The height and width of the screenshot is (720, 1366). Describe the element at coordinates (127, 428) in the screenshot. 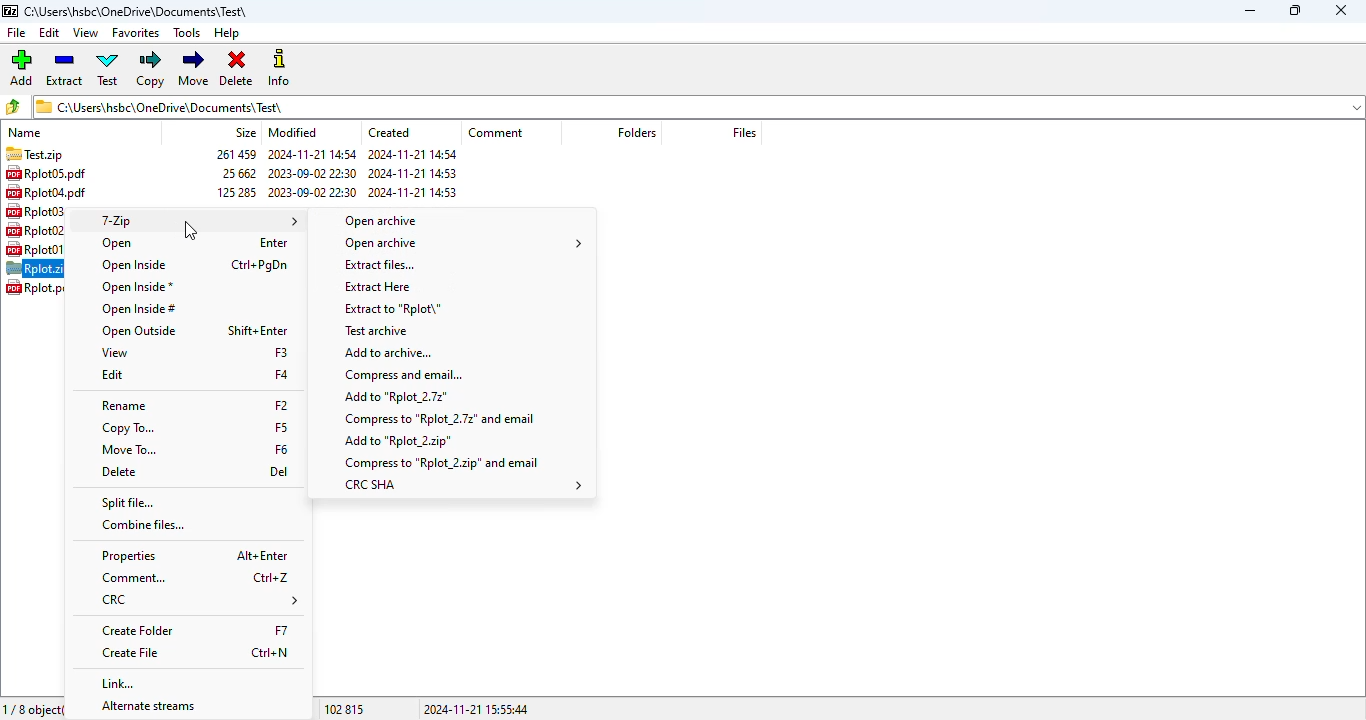

I see `copy to` at that location.